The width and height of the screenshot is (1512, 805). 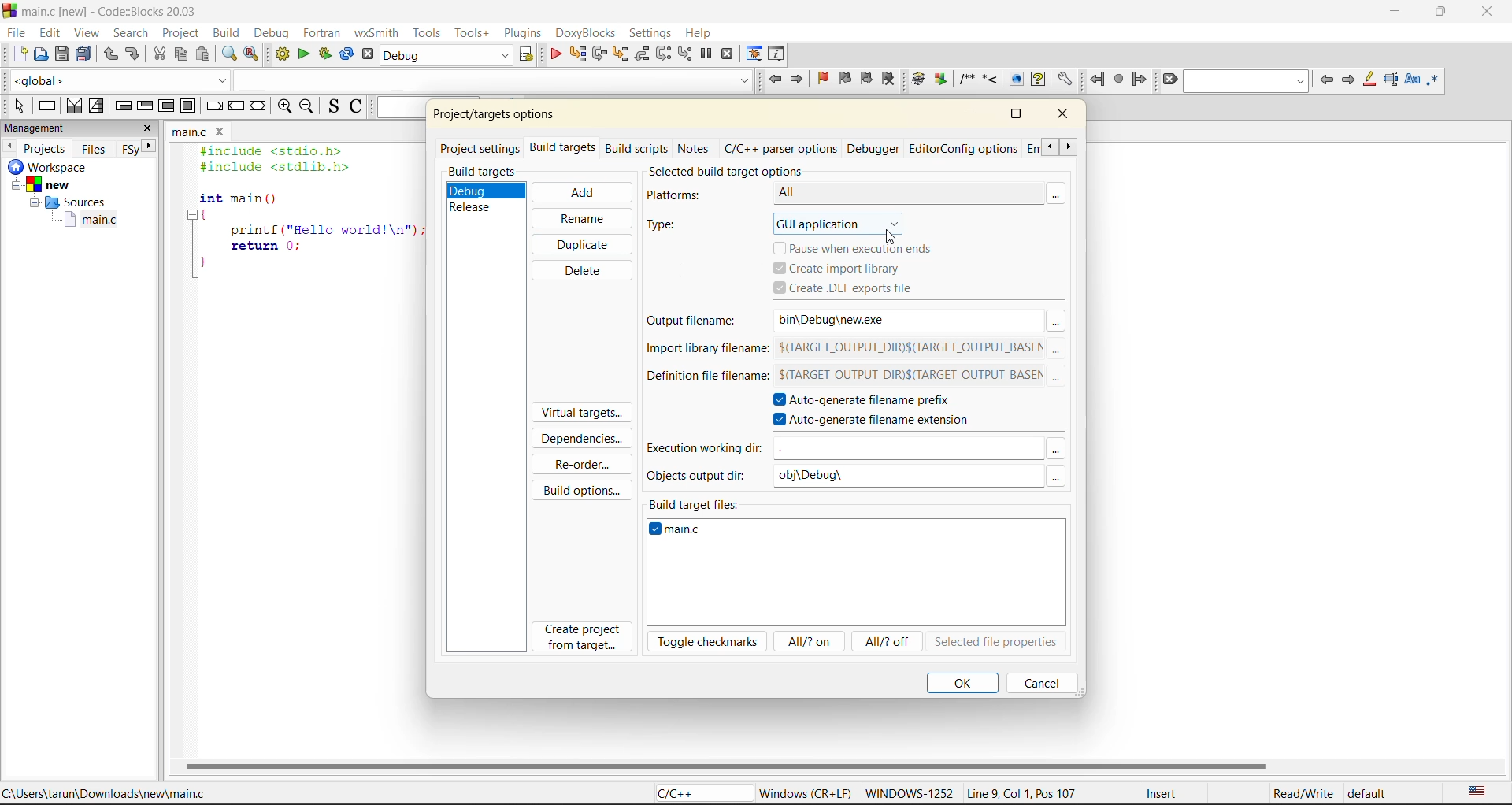 What do you see at coordinates (707, 54) in the screenshot?
I see `break debugger` at bounding box center [707, 54].